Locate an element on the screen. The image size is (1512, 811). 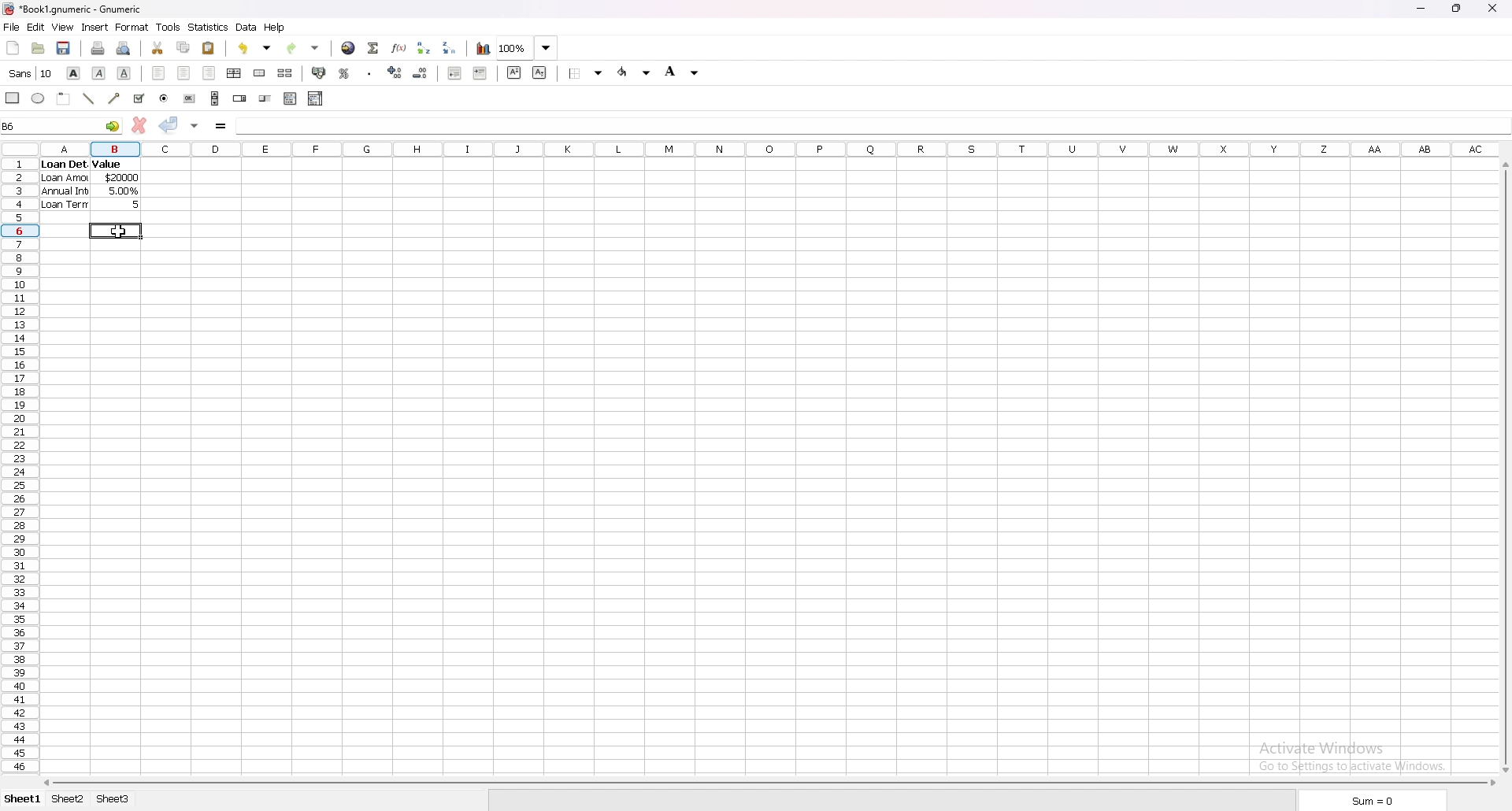
accept changes is located at coordinates (169, 125).